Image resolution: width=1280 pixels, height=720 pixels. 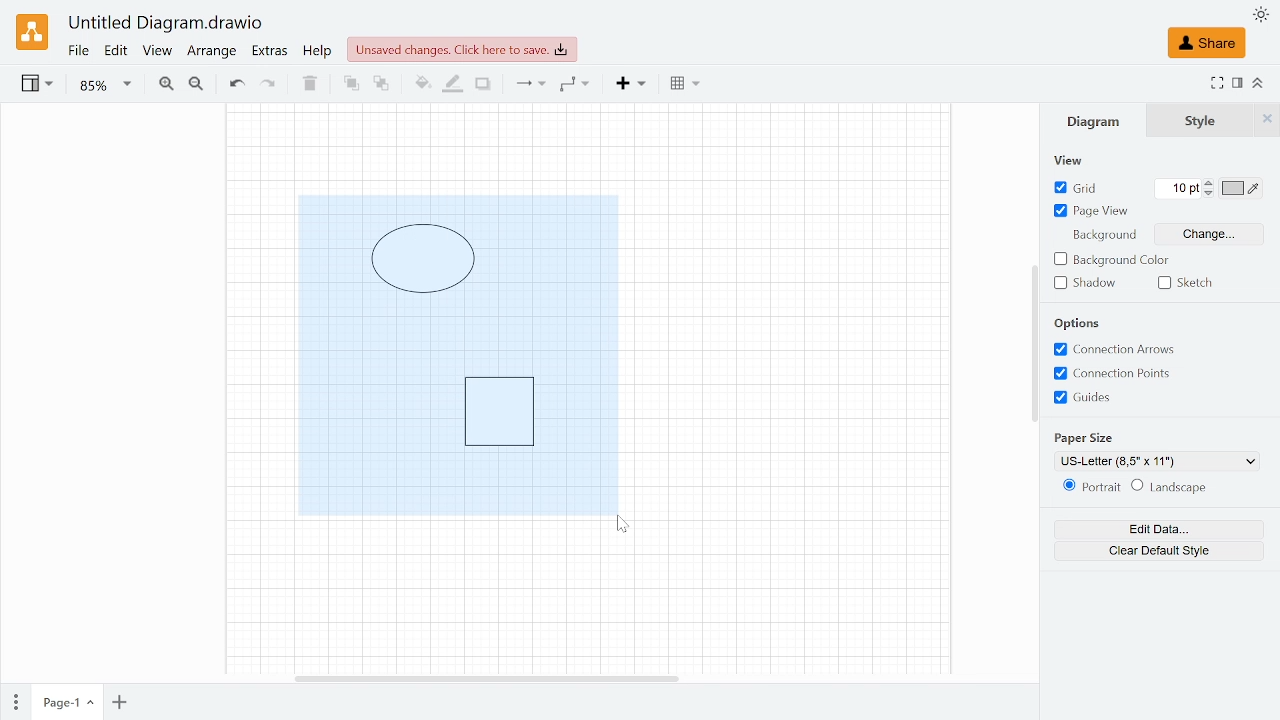 I want to click on Change, so click(x=1210, y=233).